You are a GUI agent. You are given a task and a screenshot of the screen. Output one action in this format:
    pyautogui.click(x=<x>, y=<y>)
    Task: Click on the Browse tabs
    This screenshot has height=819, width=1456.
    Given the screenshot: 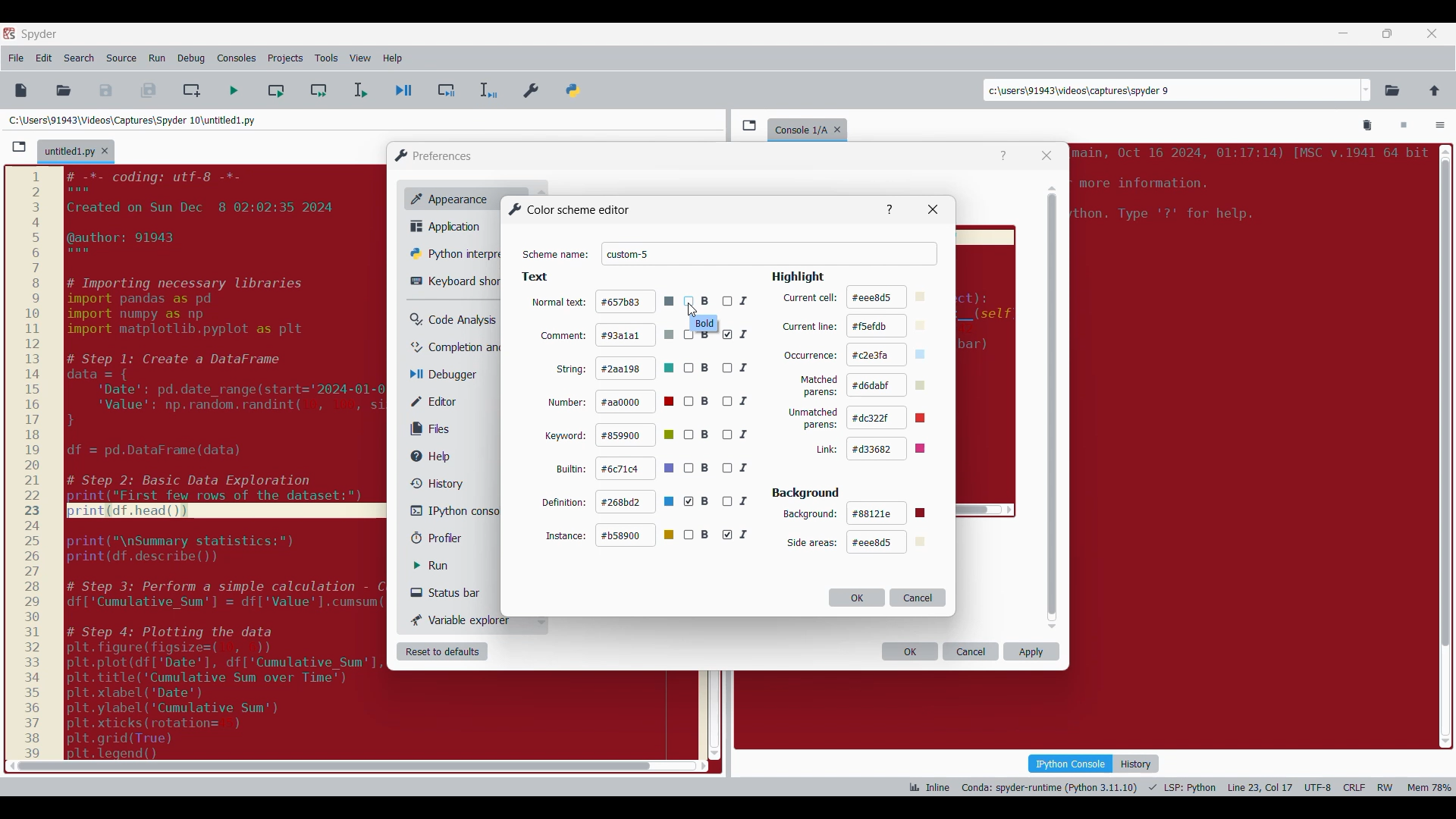 What is the action you would take?
    pyautogui.click(x=749, y=125)
    